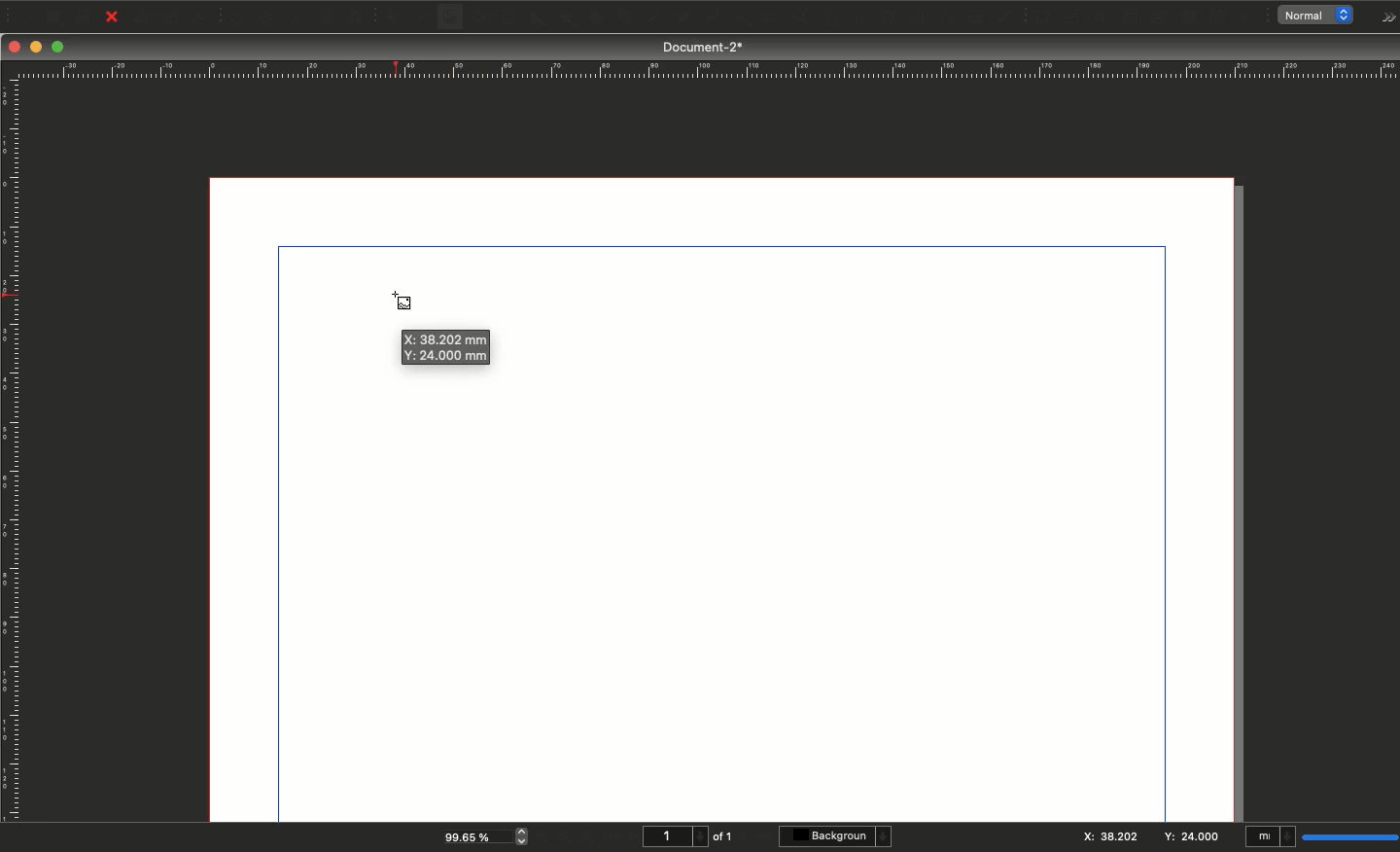 This screenshot has height=852, width=1400. I want to click on Document-2*, so click(705, 47).